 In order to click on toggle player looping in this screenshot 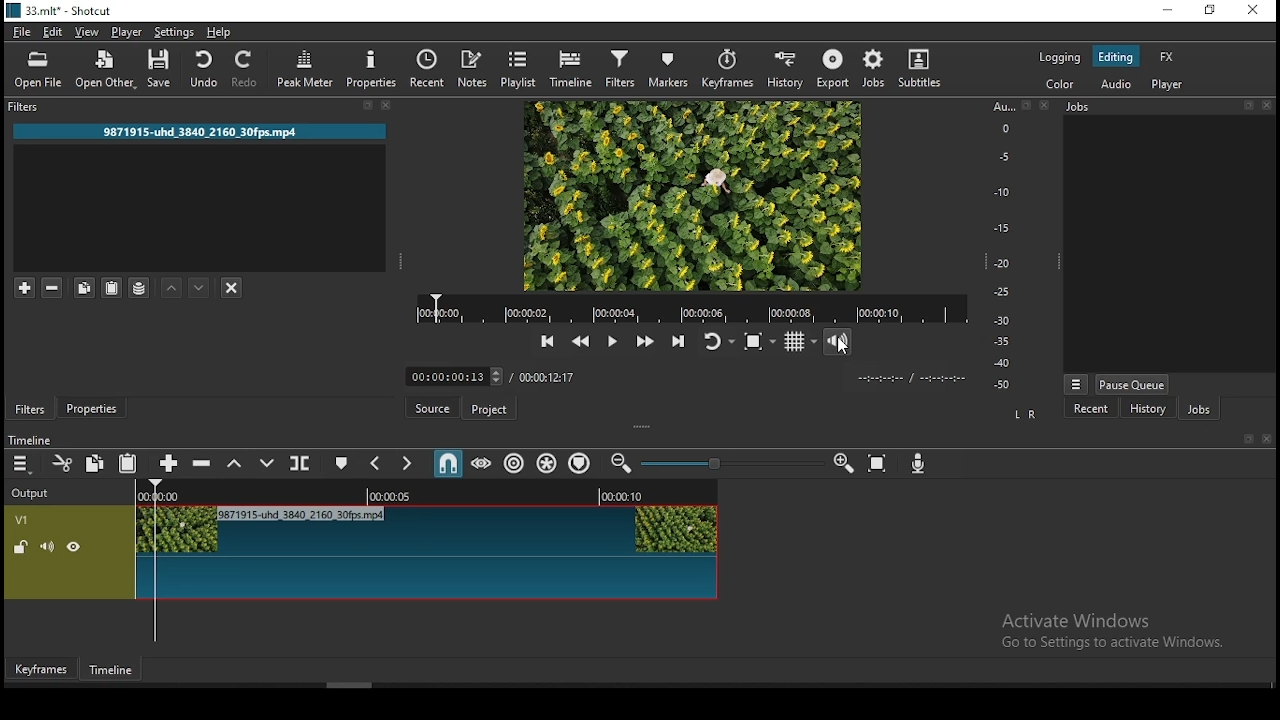, I will do `click(717, 342)`.